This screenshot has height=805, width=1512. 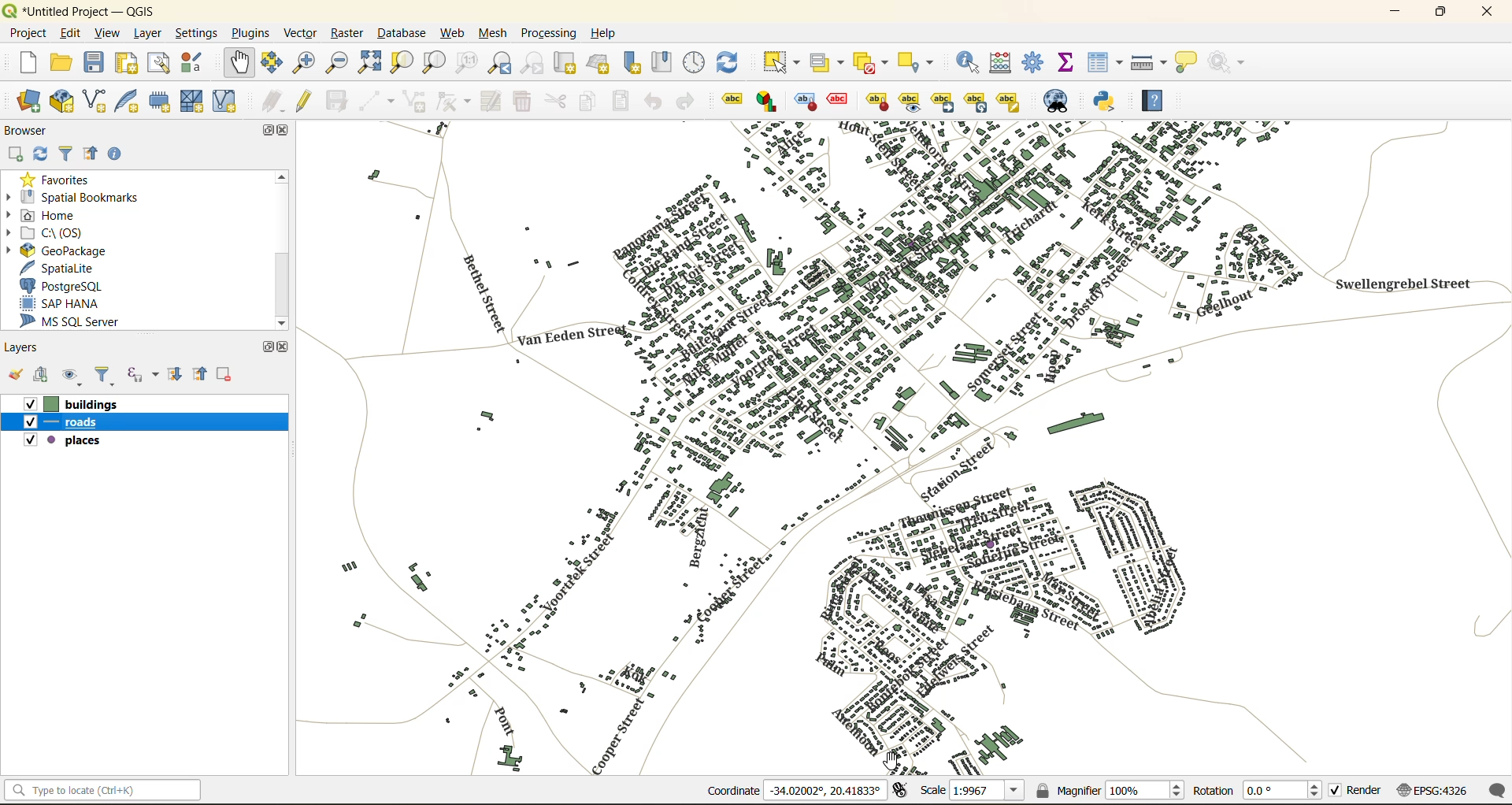 I want to click on digitize, so click(x=377, y=103).